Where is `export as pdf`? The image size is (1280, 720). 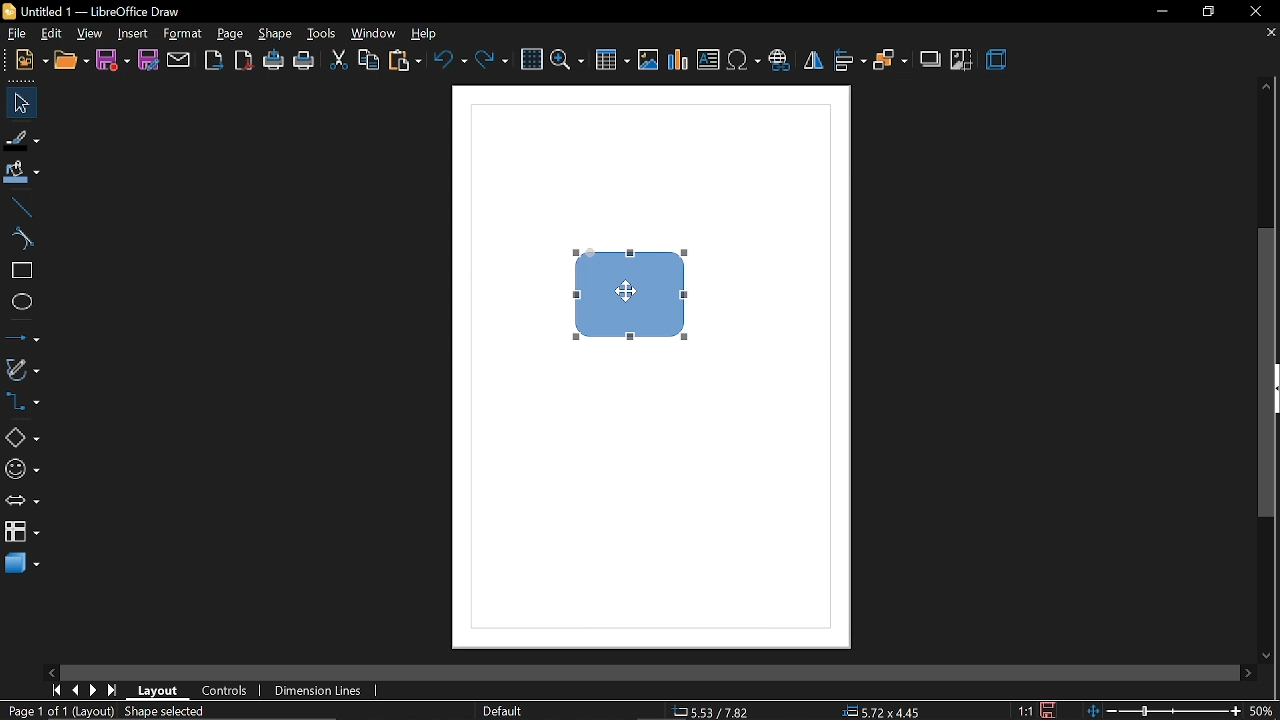 export as pdf is located at coordinates (245, 59).